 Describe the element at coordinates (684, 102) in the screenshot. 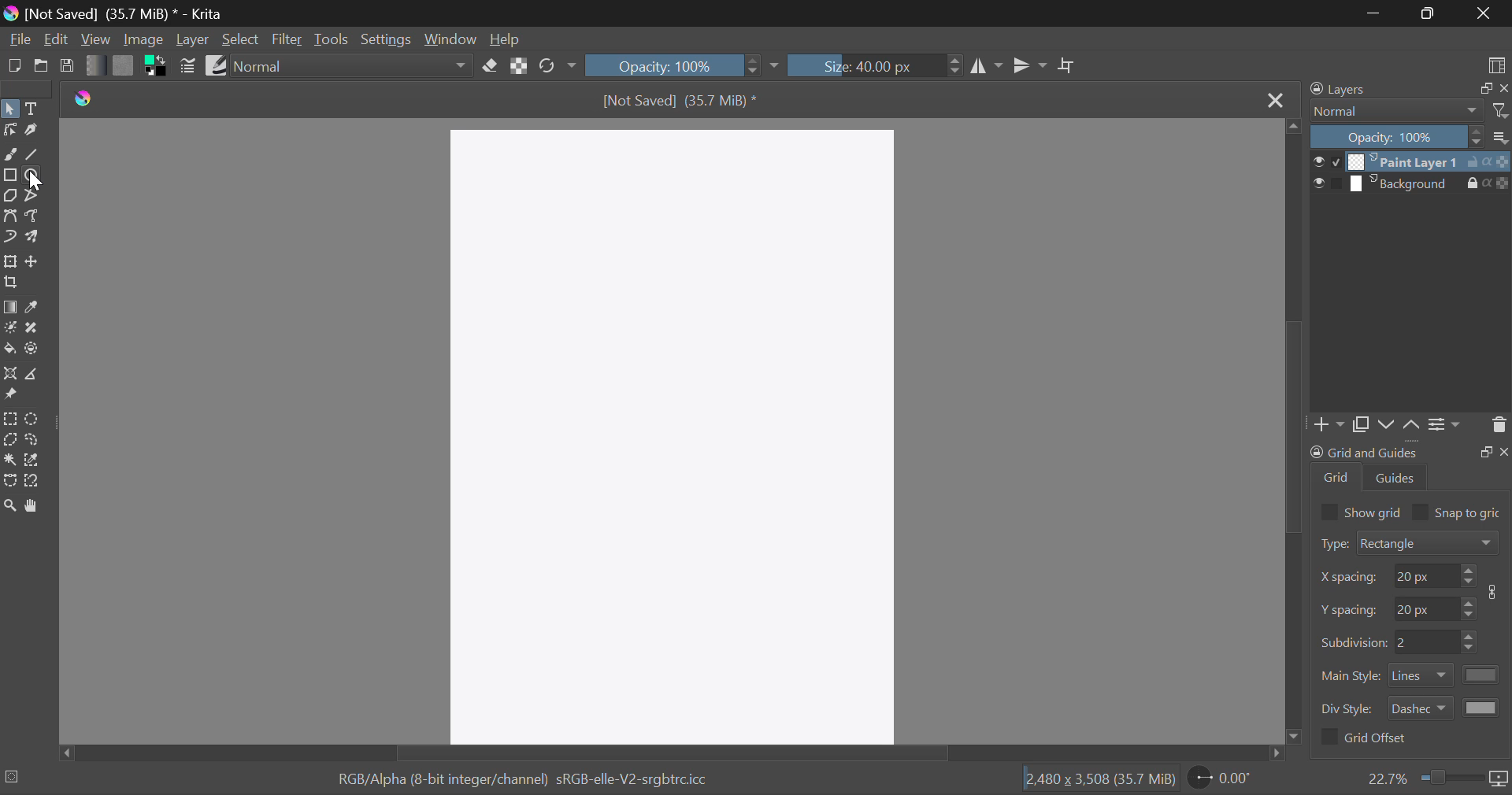

I see `File Name & Size` at that location.